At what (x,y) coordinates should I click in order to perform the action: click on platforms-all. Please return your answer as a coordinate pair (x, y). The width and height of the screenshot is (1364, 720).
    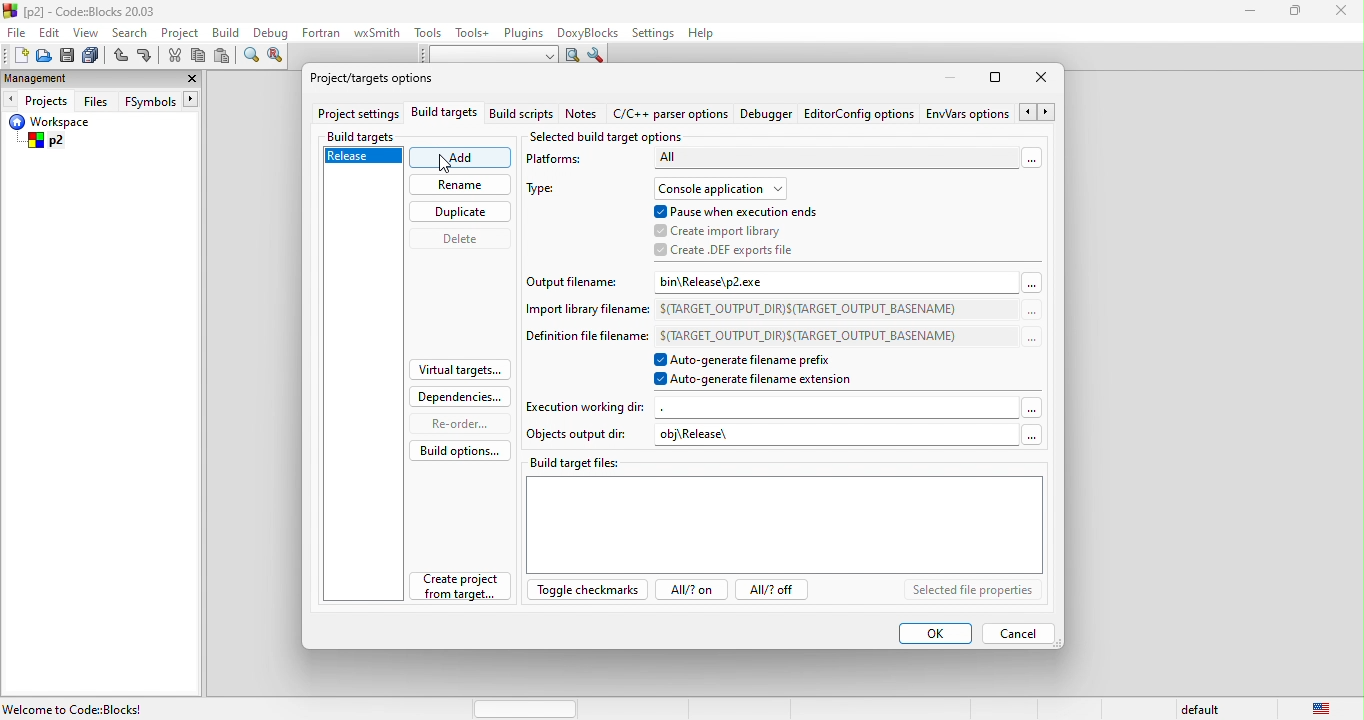
    Looking at the image, I should click on (788, 163).